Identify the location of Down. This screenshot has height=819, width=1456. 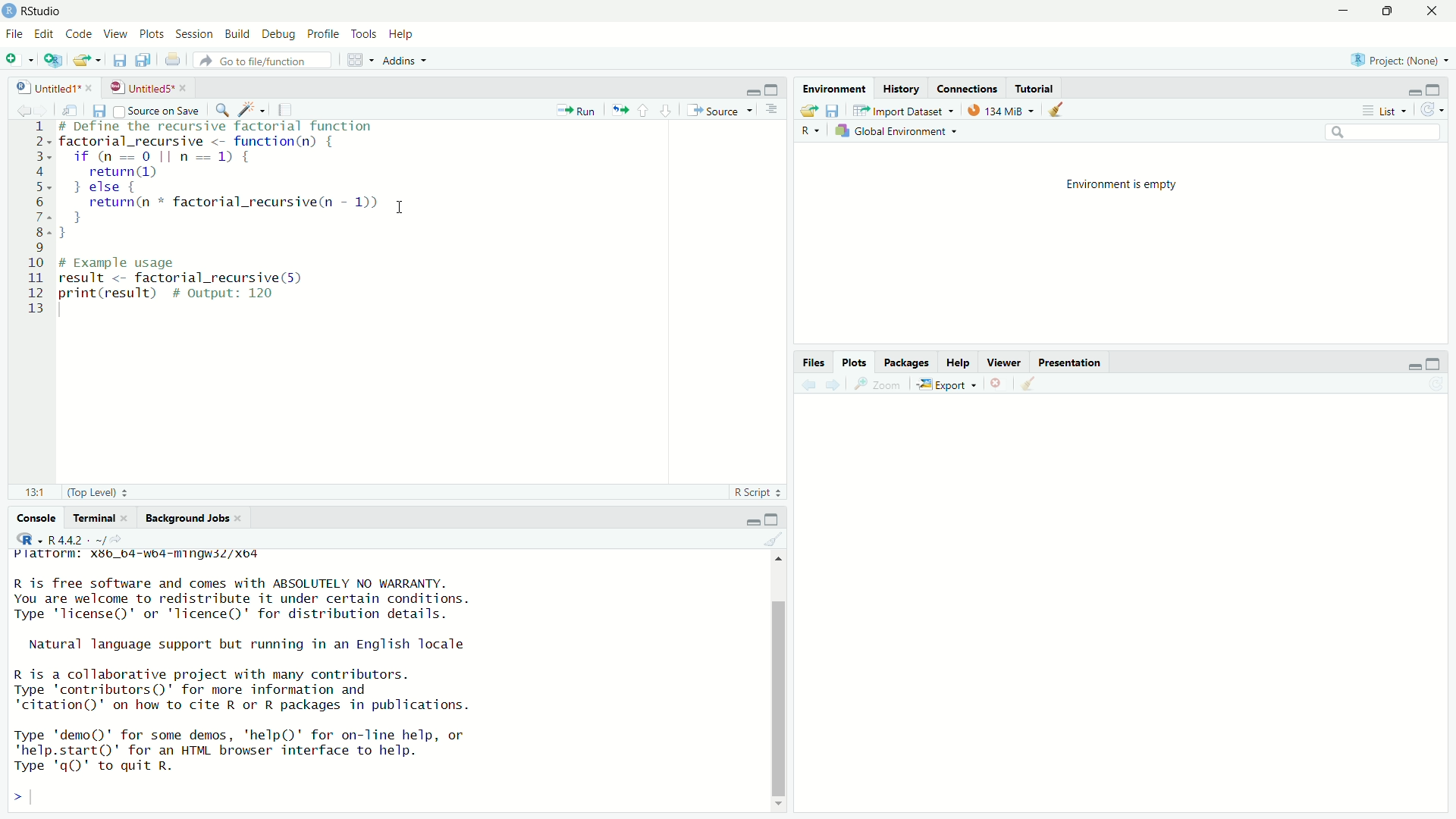
(777, 805).